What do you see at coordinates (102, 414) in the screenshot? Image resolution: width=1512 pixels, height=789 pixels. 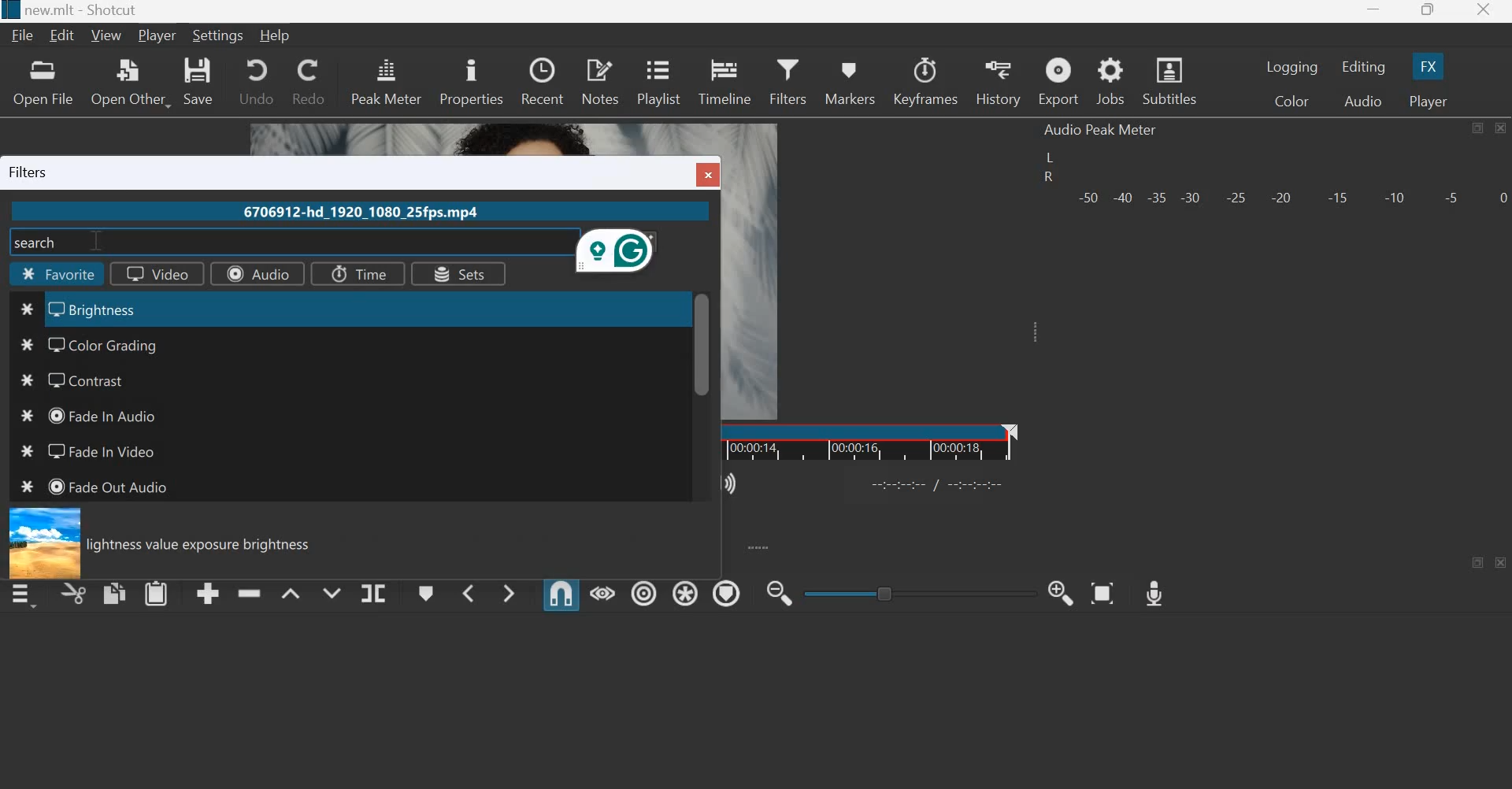 I see `fade in audio` at bounding box center [102, 414].